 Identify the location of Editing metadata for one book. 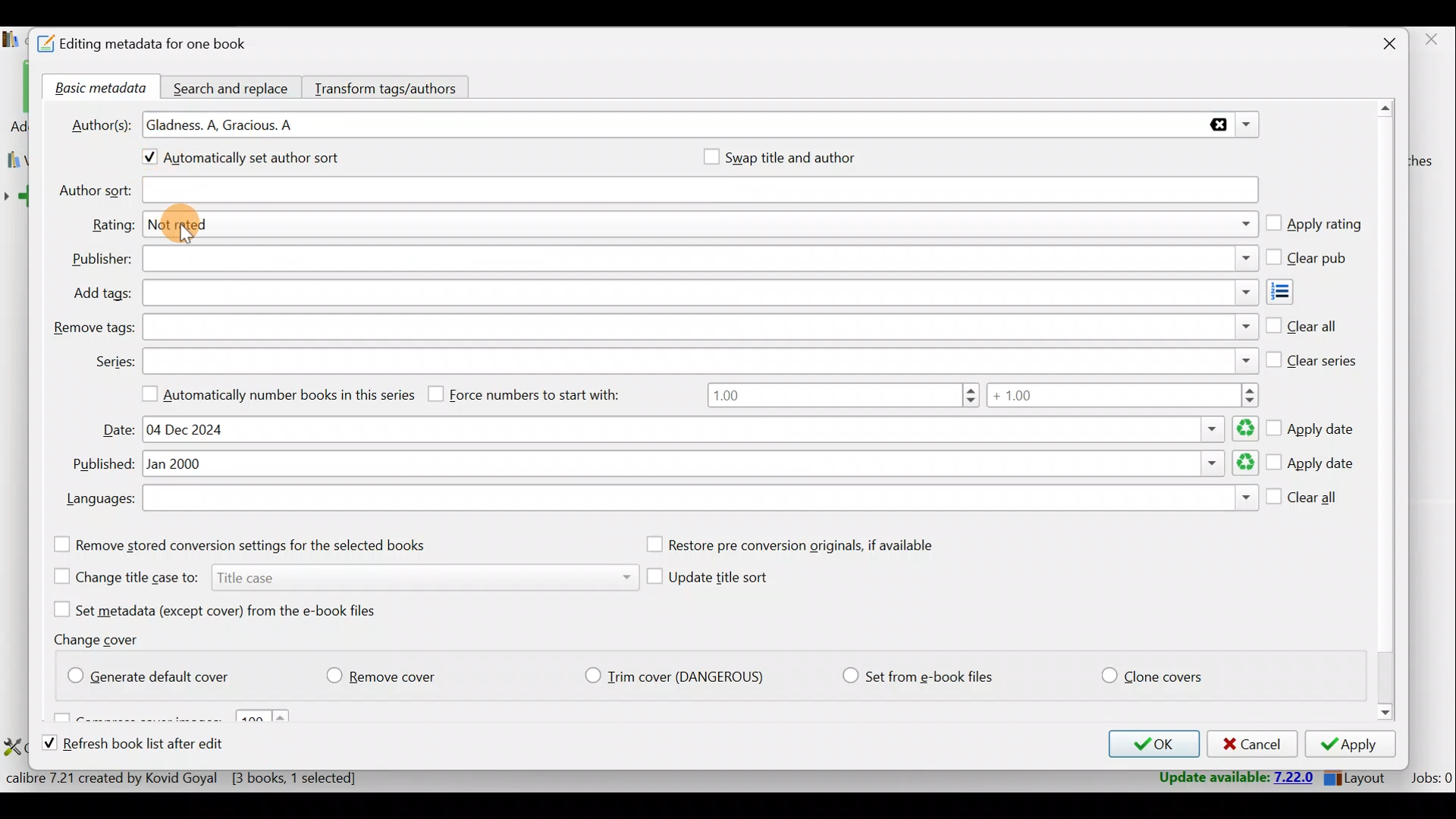
(161, 45).